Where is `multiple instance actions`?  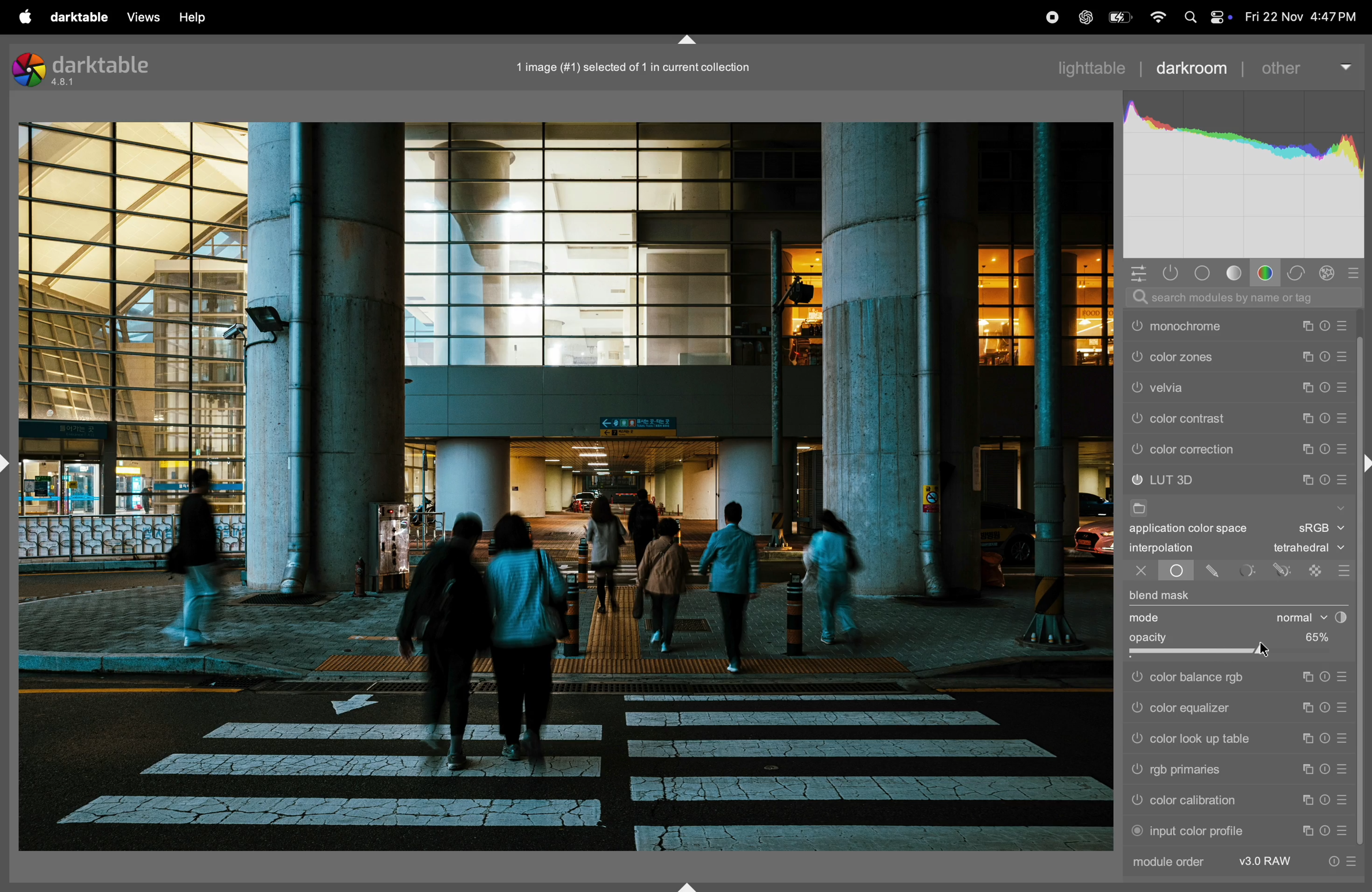
multiple instance actions is located at coordinates (1306, 801).